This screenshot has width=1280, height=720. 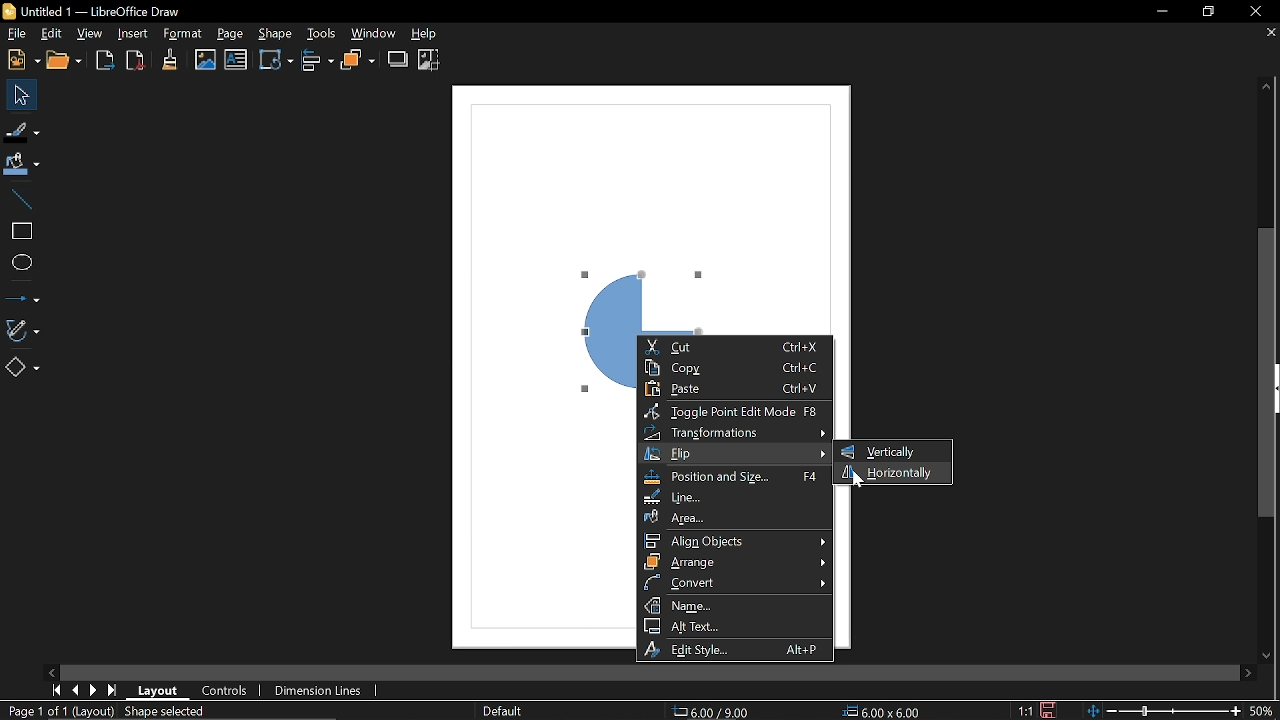 I want to click on Paste, so click(x=735, y=390).